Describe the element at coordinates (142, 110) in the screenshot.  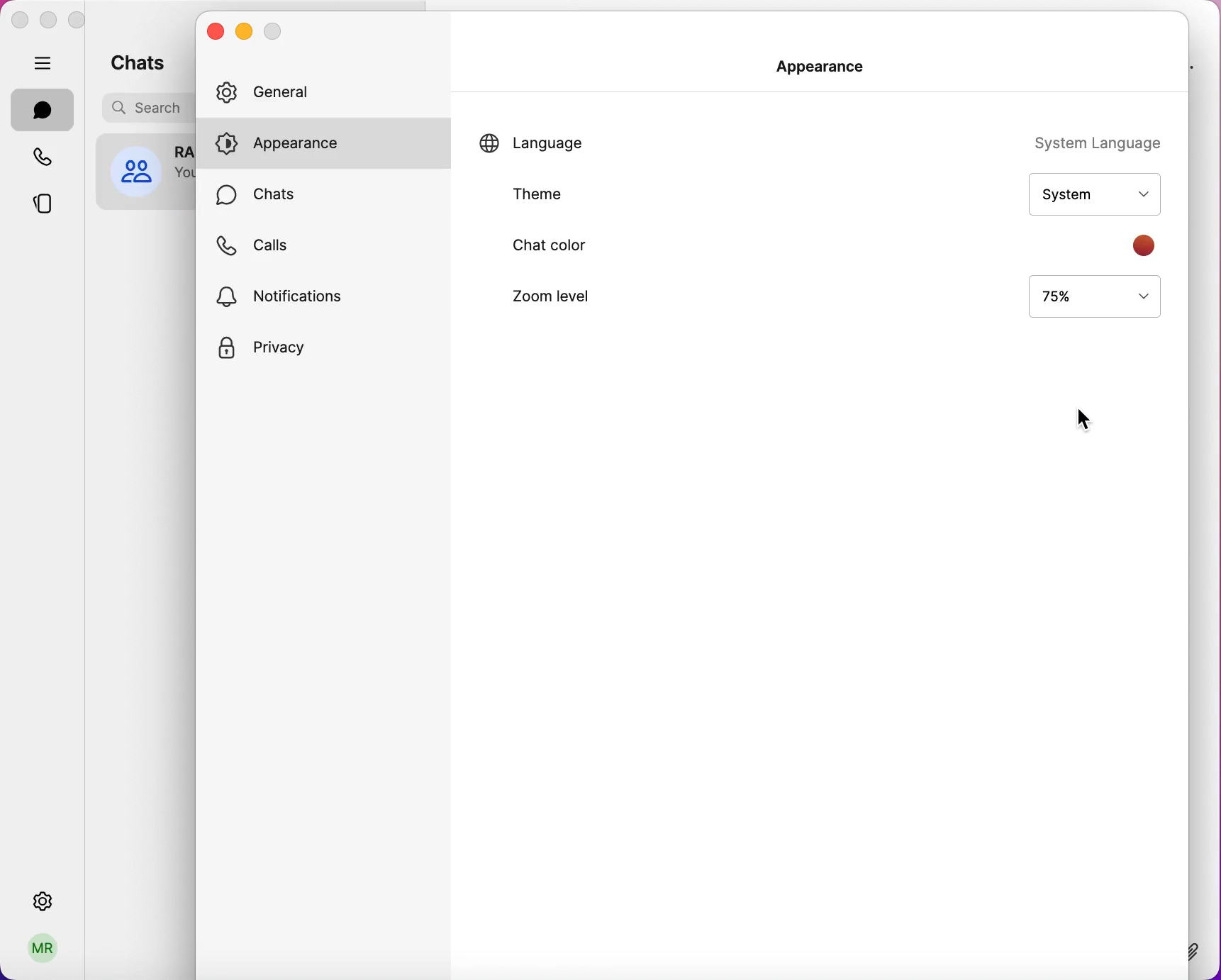
I see `search` at that location.